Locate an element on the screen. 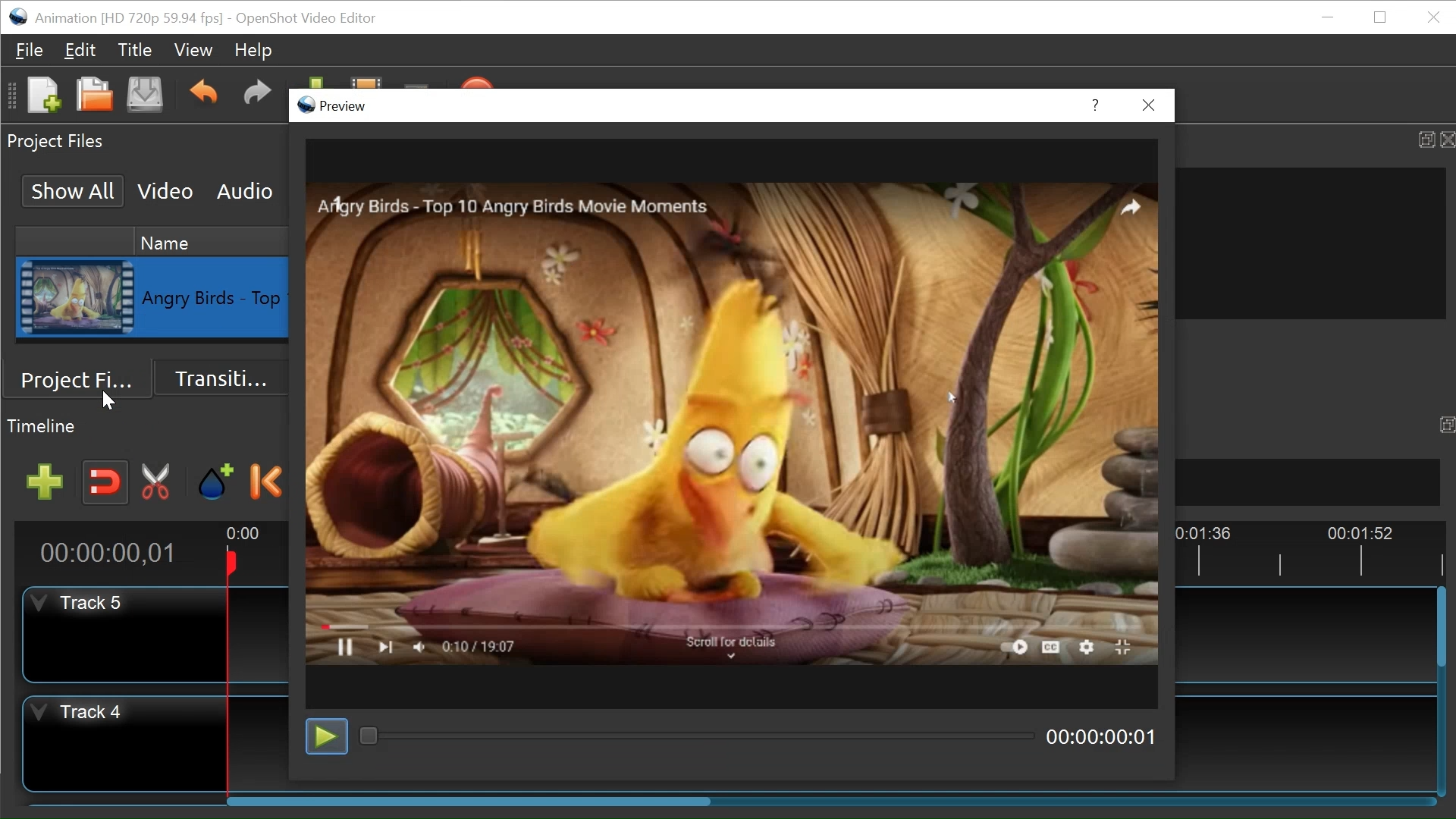 The image size is (1456, 819). Name is located at coordinates (212, 243).